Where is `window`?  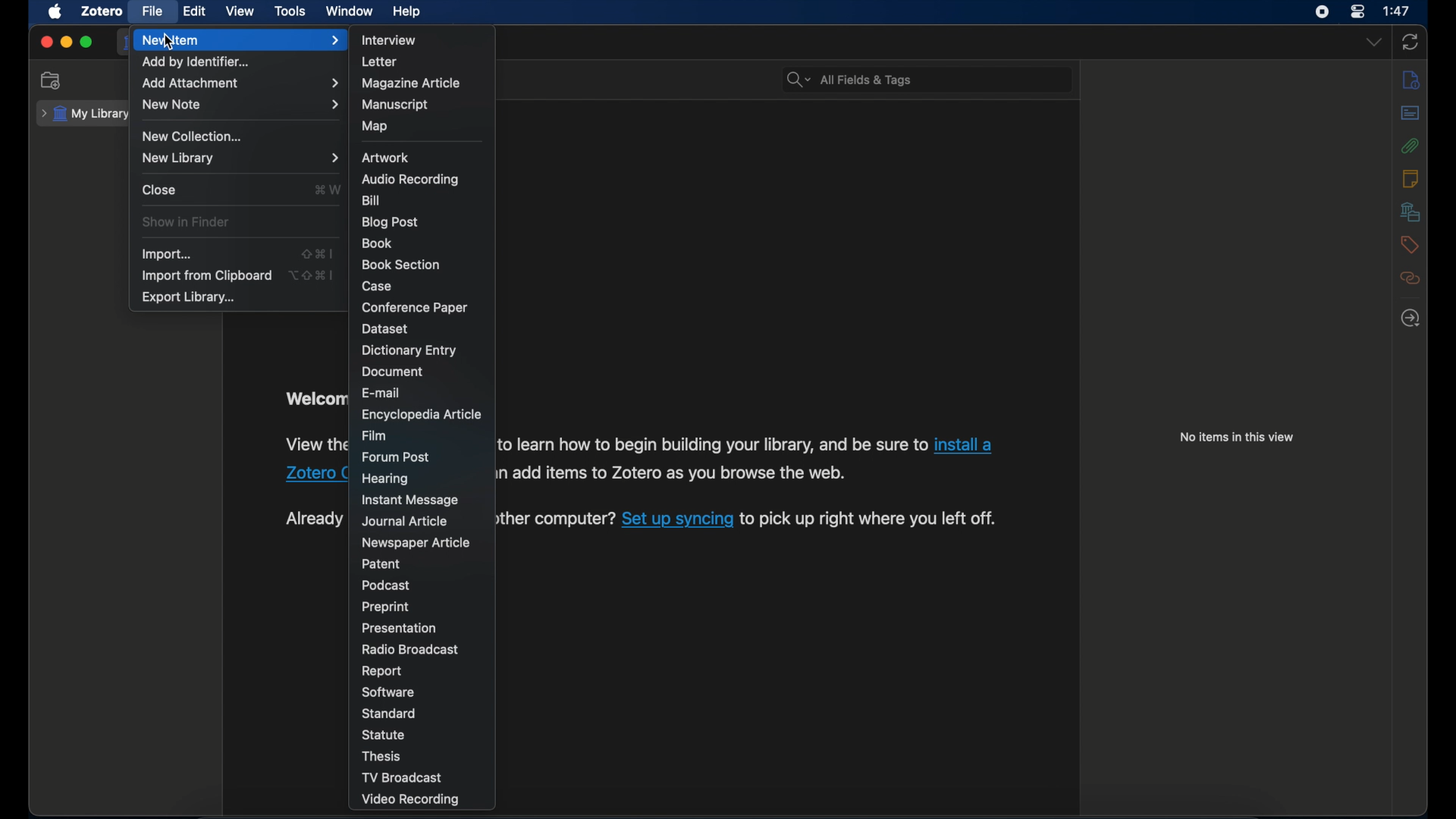 window is located at coordinates (350, 11).